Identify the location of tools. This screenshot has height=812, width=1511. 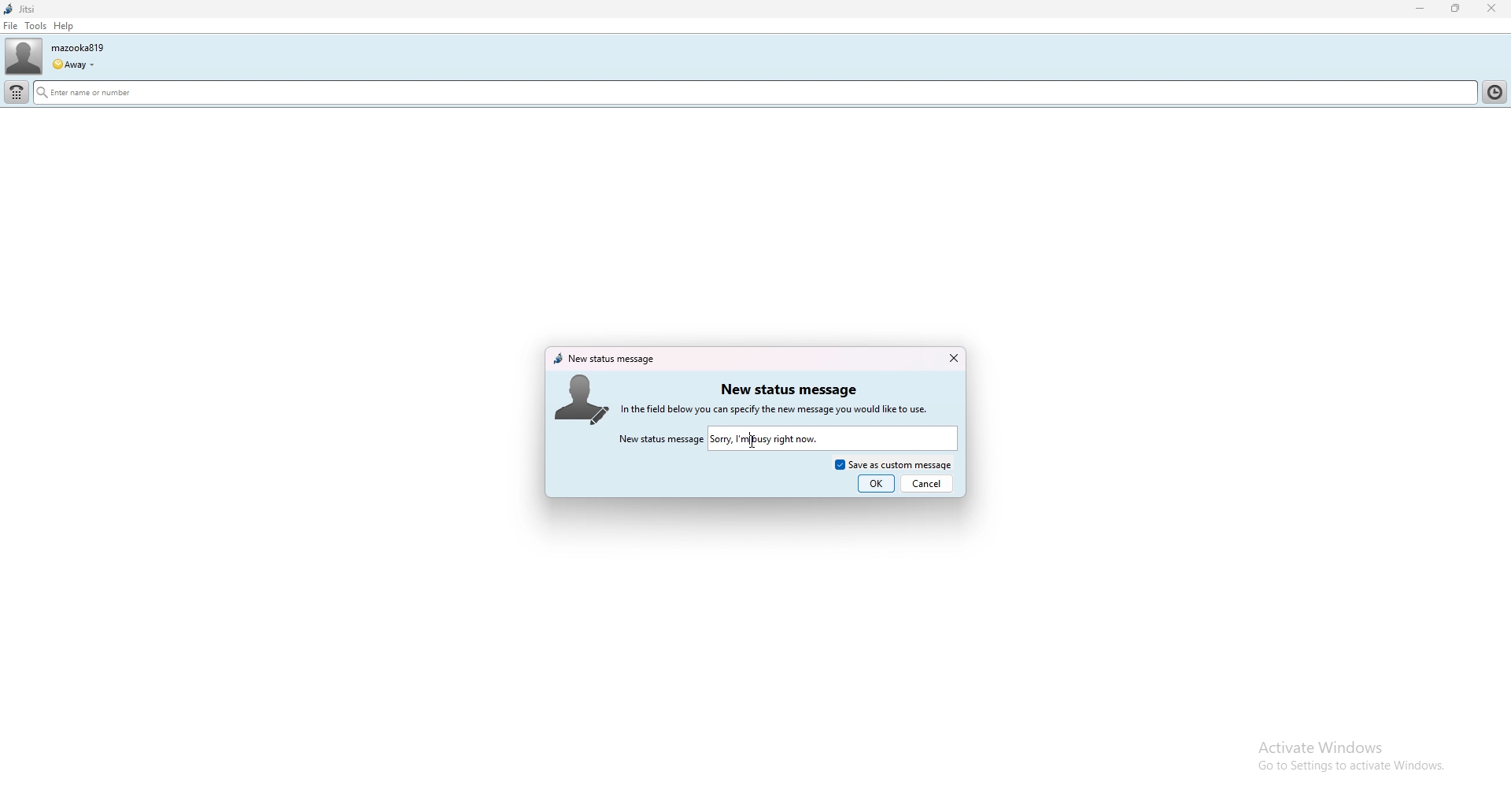
(36, 25).